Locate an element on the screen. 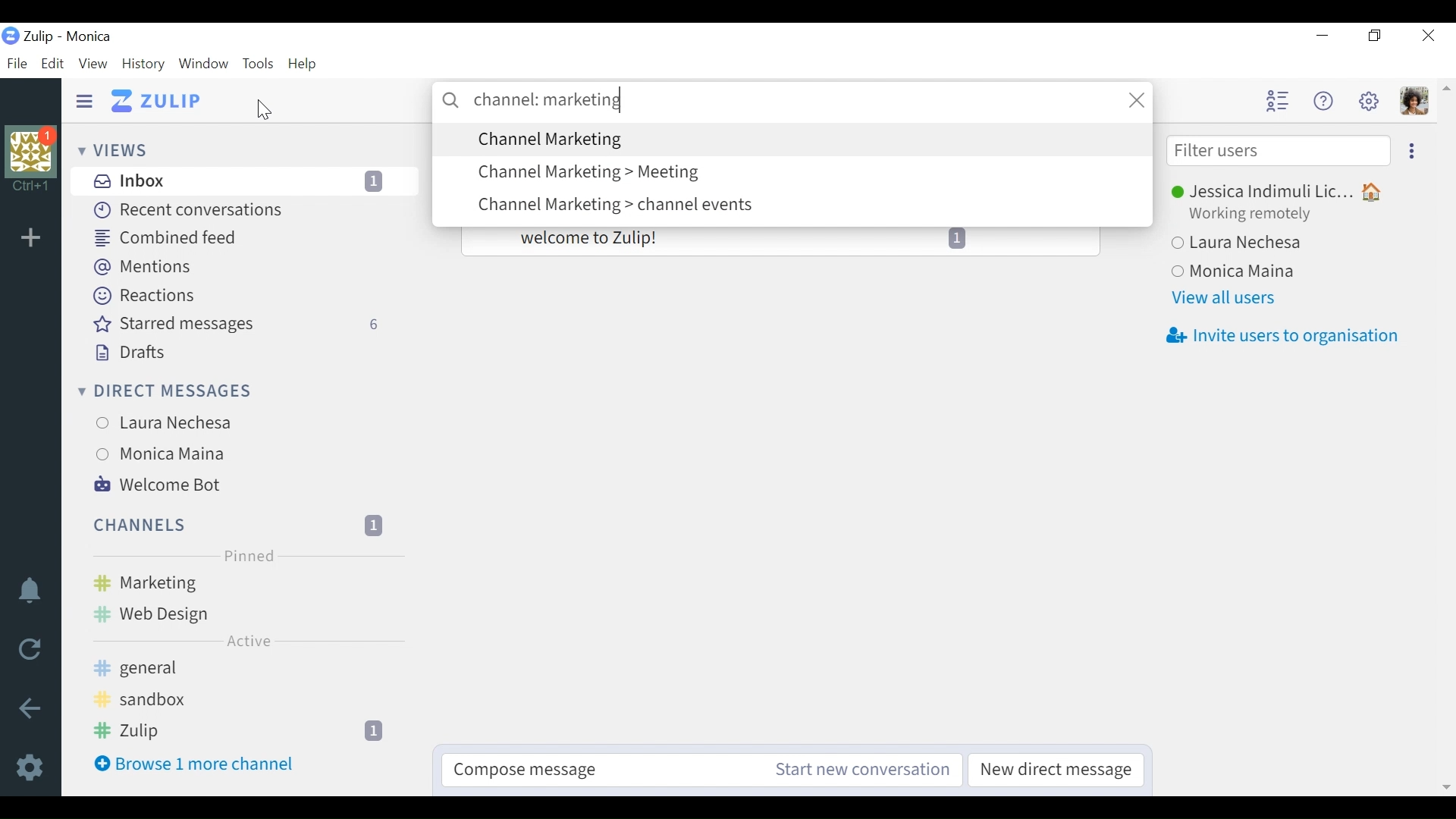 This screenshot has height=819, width=1456. notifications is located at coordinates (31, 592).